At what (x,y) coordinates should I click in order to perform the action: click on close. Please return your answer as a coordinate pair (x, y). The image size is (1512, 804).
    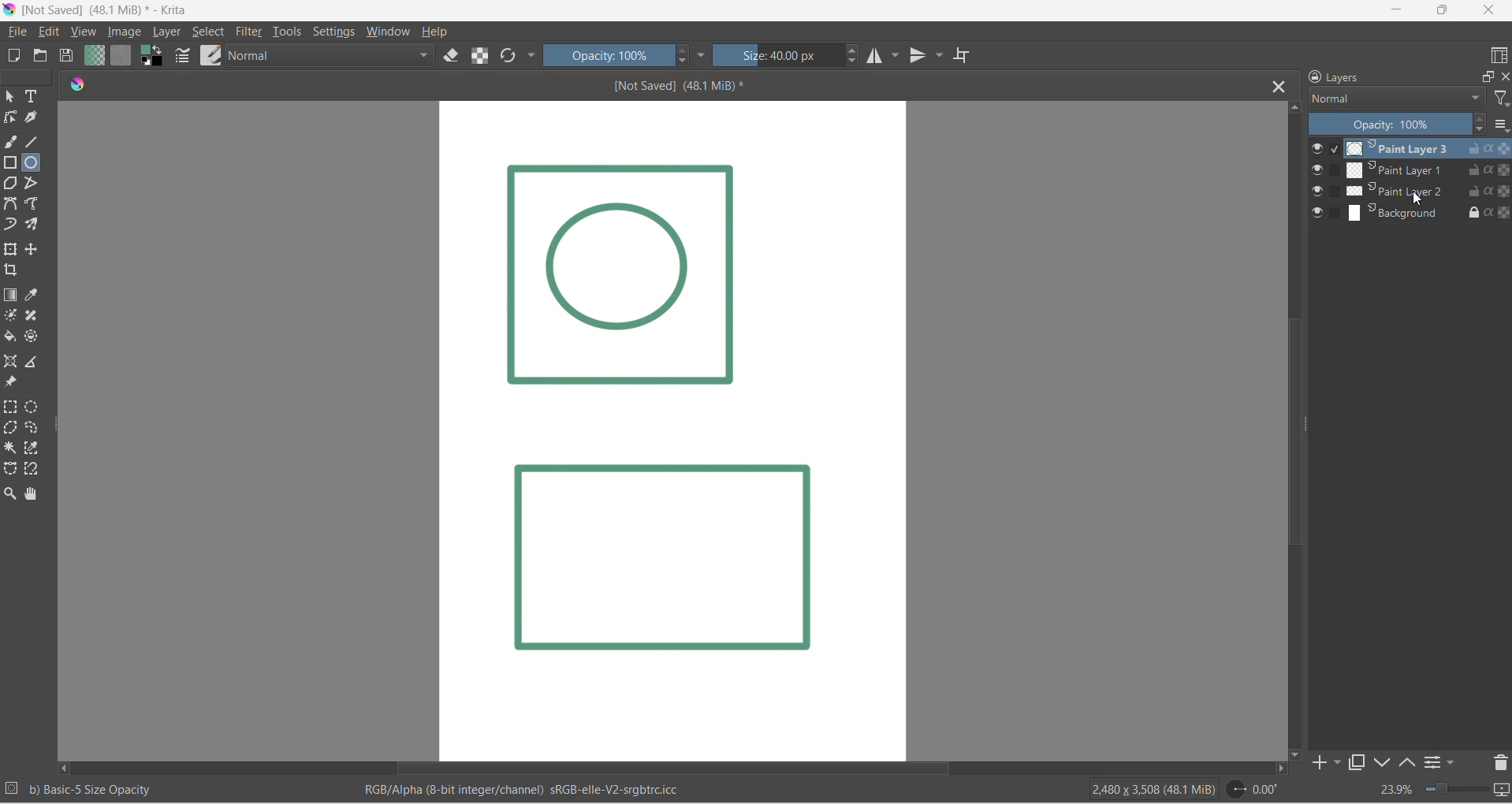
    Looking at the image, I should click on (1503, 73).